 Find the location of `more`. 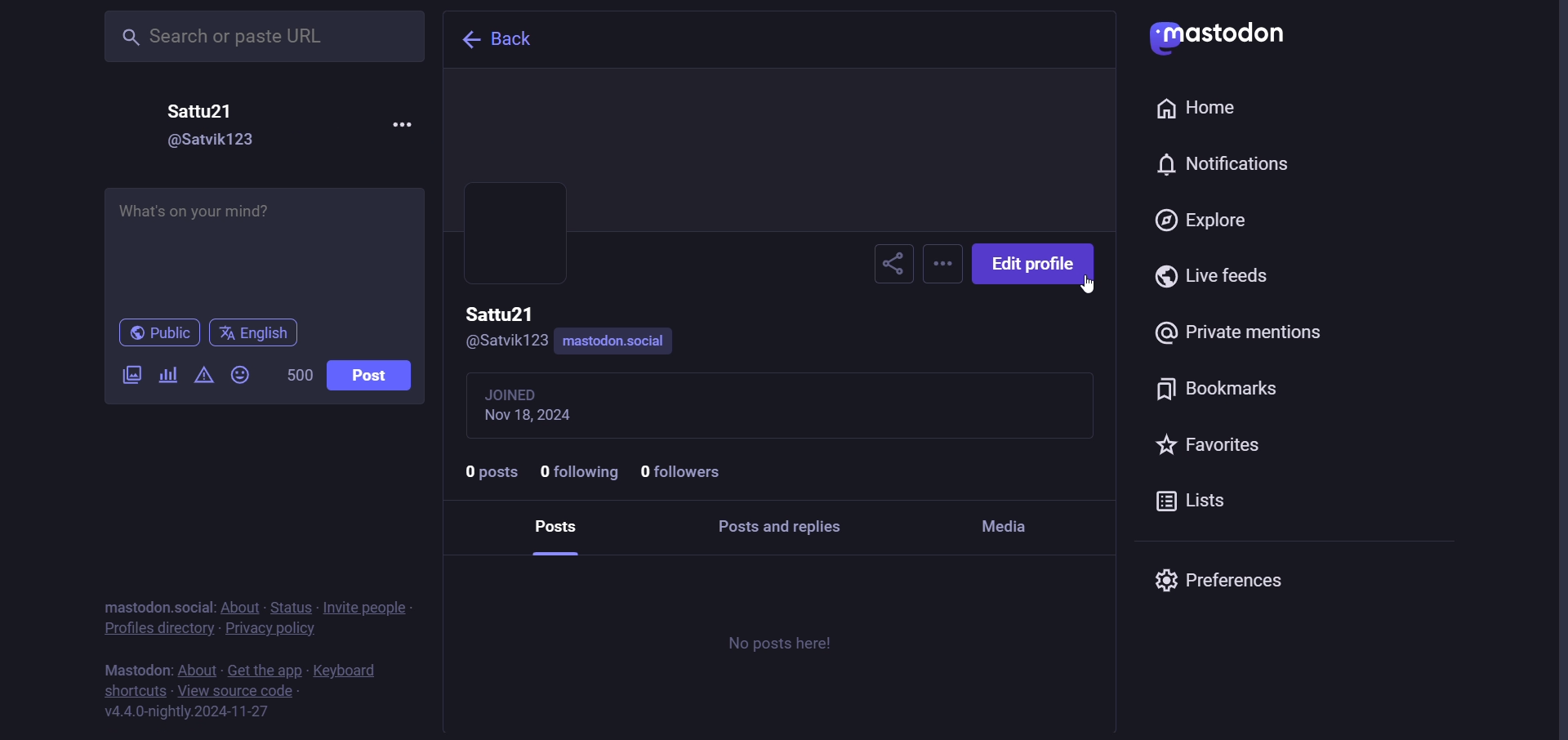

more is located at coordinates (939, 261).